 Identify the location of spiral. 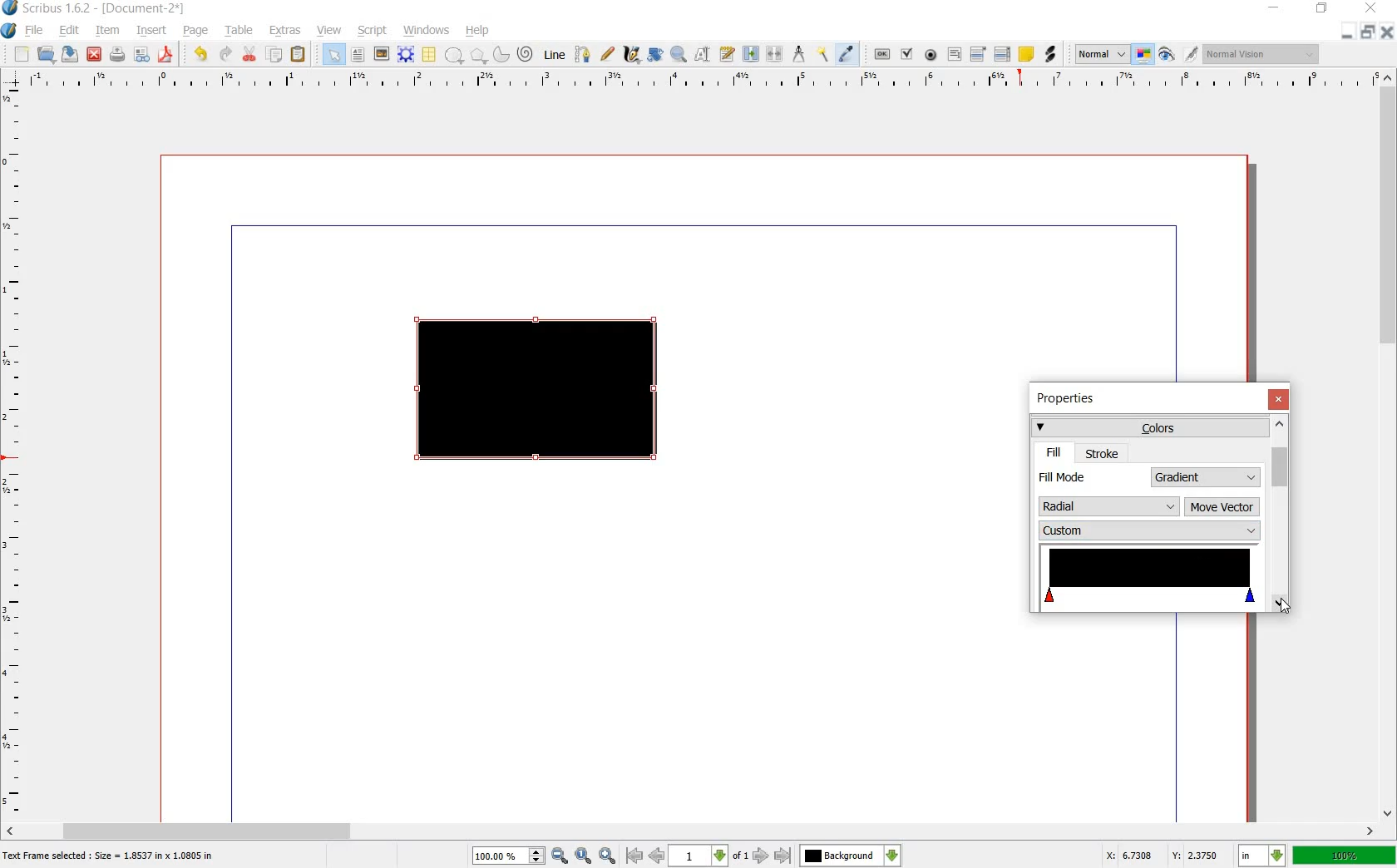
(526, 53).